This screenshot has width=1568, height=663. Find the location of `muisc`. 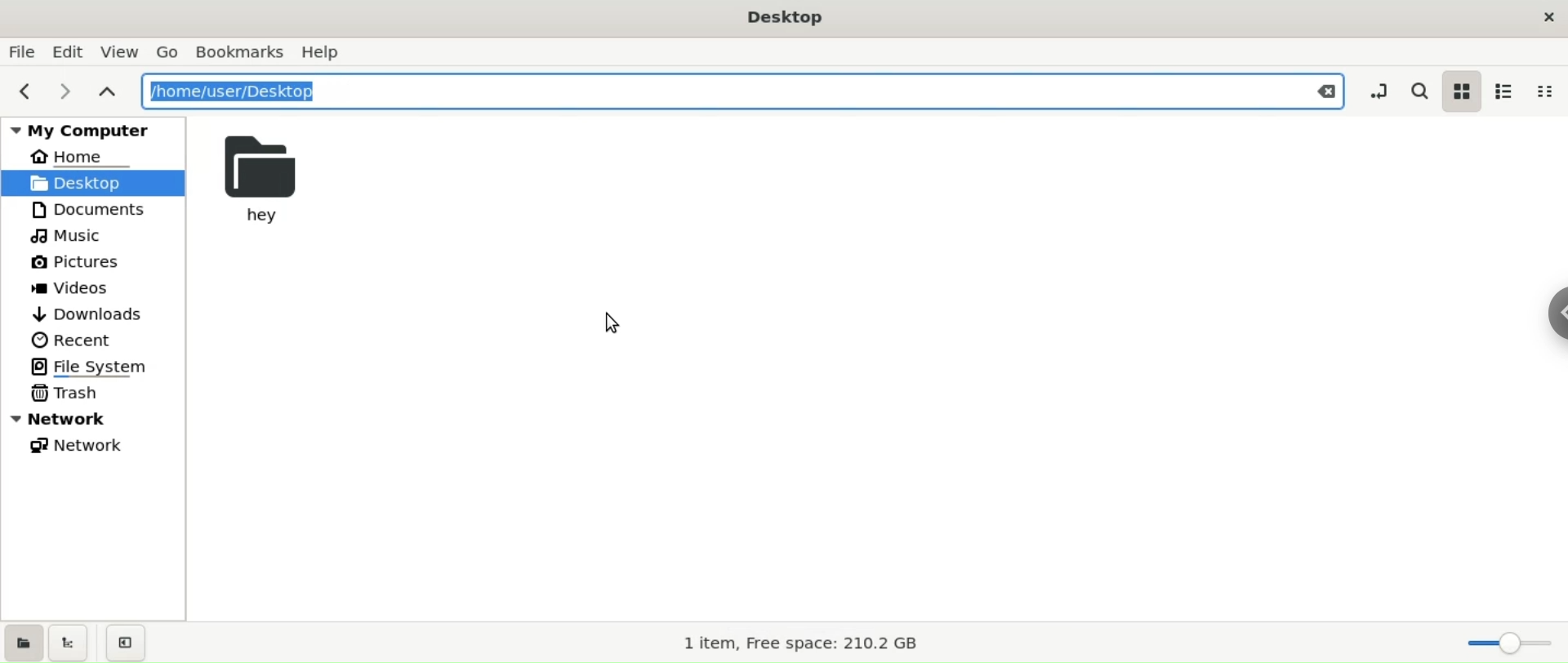

muisc is located at coordinates (73, 238).